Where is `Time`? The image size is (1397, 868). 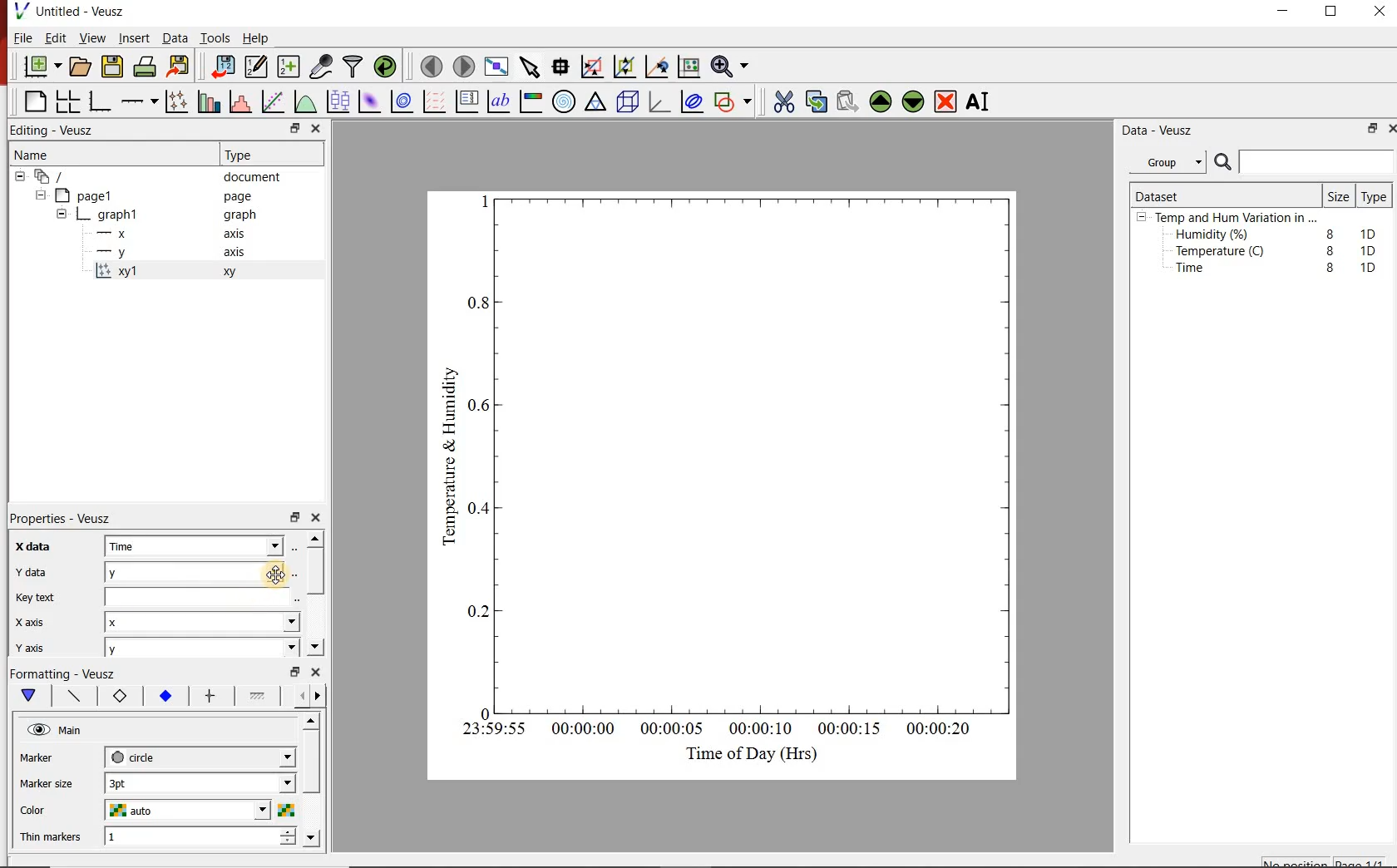 Time is located at coordinates (1199, 272).